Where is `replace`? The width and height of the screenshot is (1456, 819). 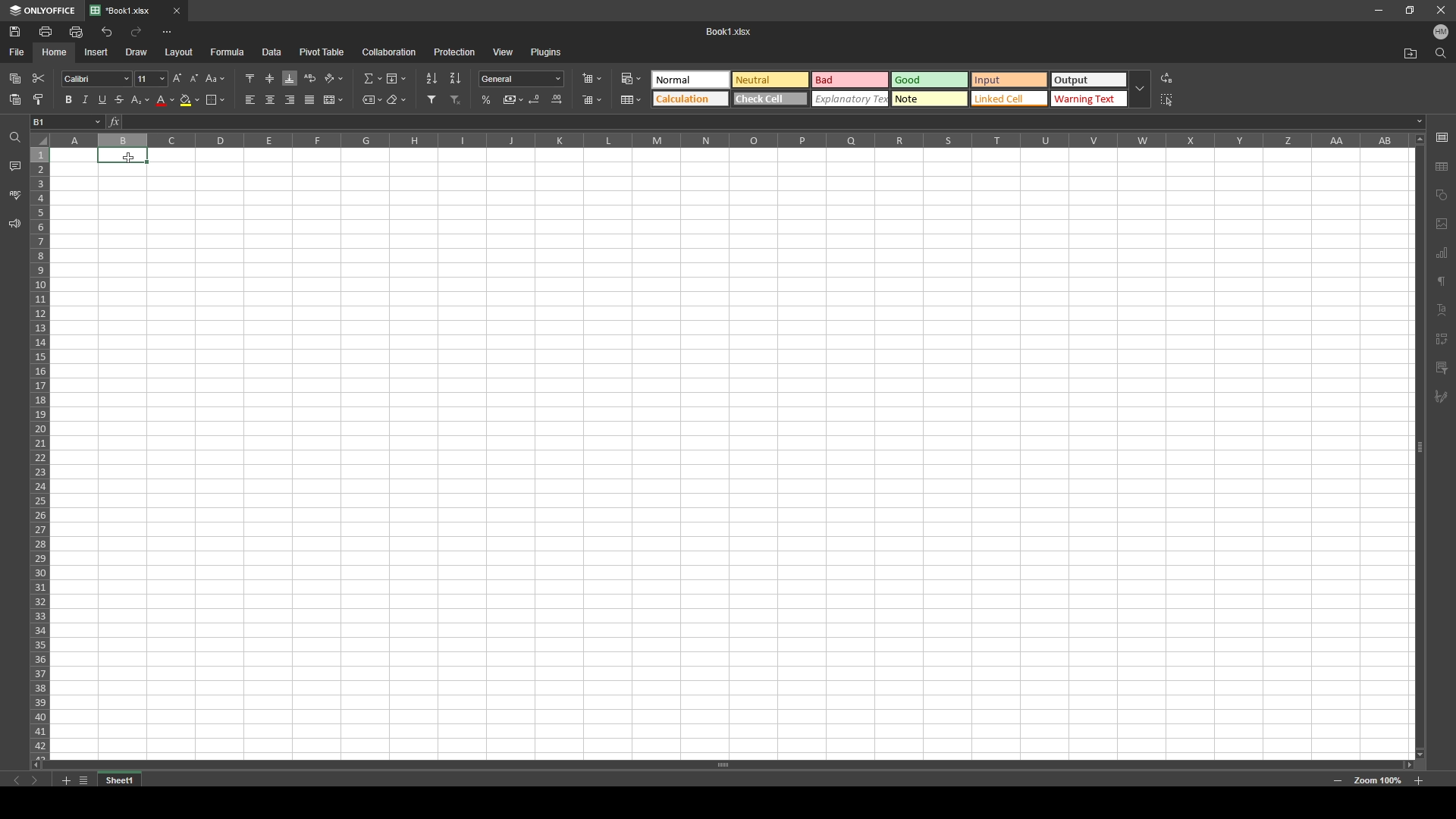 replace is located at coordinates (1166, 78).